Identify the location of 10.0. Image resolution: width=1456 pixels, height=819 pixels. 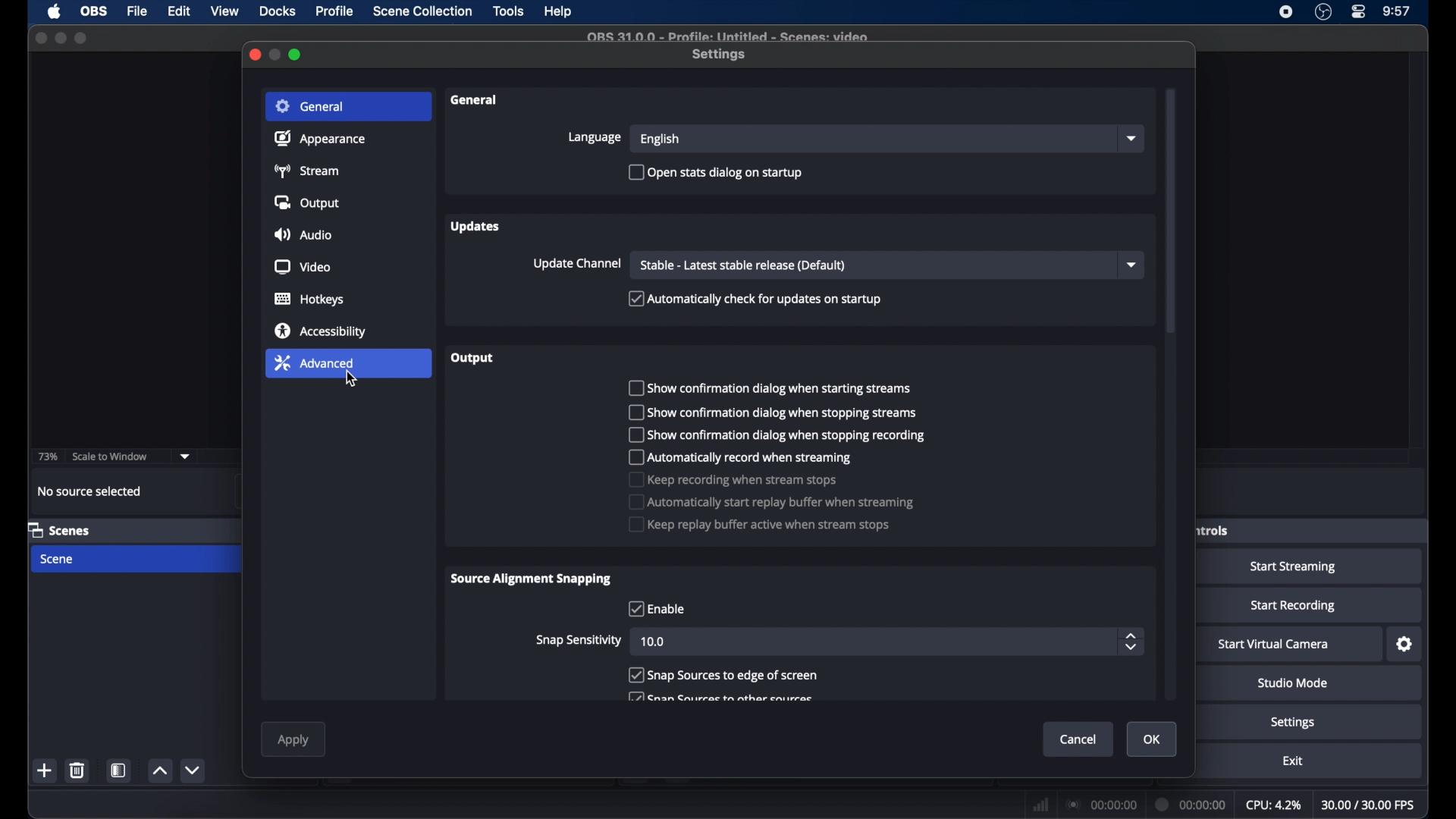
(655, 643).